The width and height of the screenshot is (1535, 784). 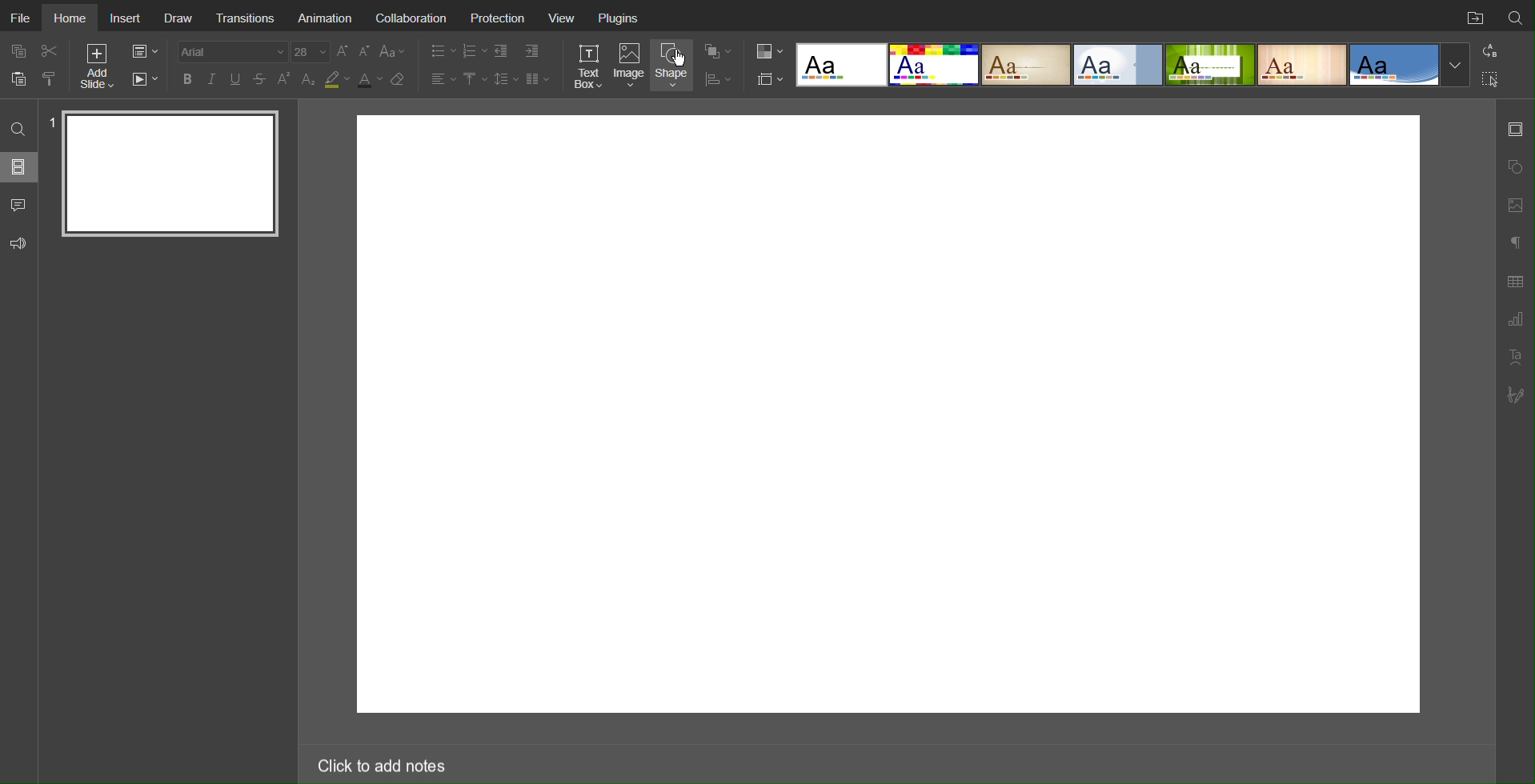 What do you see at coordinates (369, 80) in the screenshot?
I see `Text Color` at bounding box center [369, 80].